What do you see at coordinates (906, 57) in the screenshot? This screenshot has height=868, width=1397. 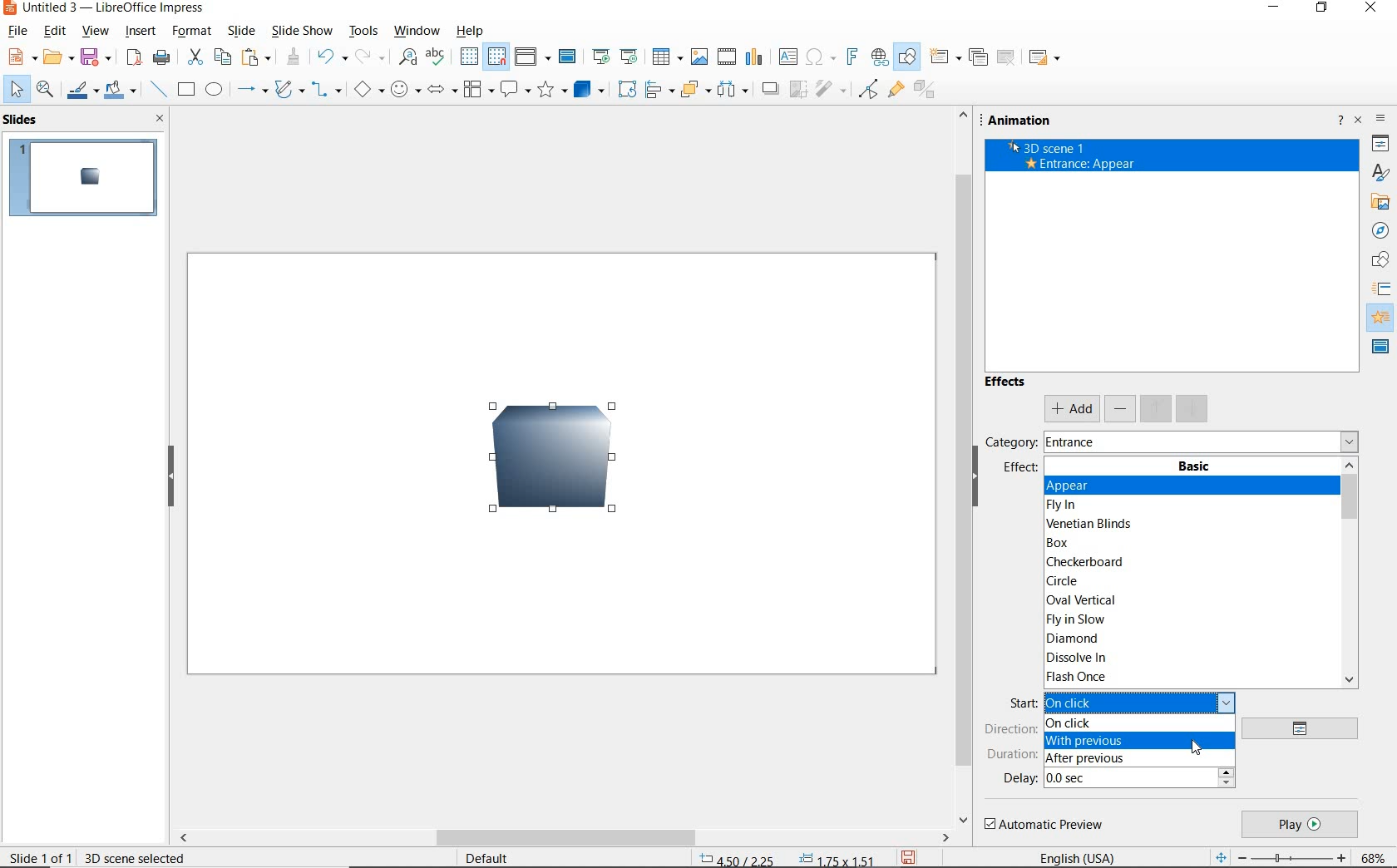 I see `show draw functions` at bounding box center [906, 57].